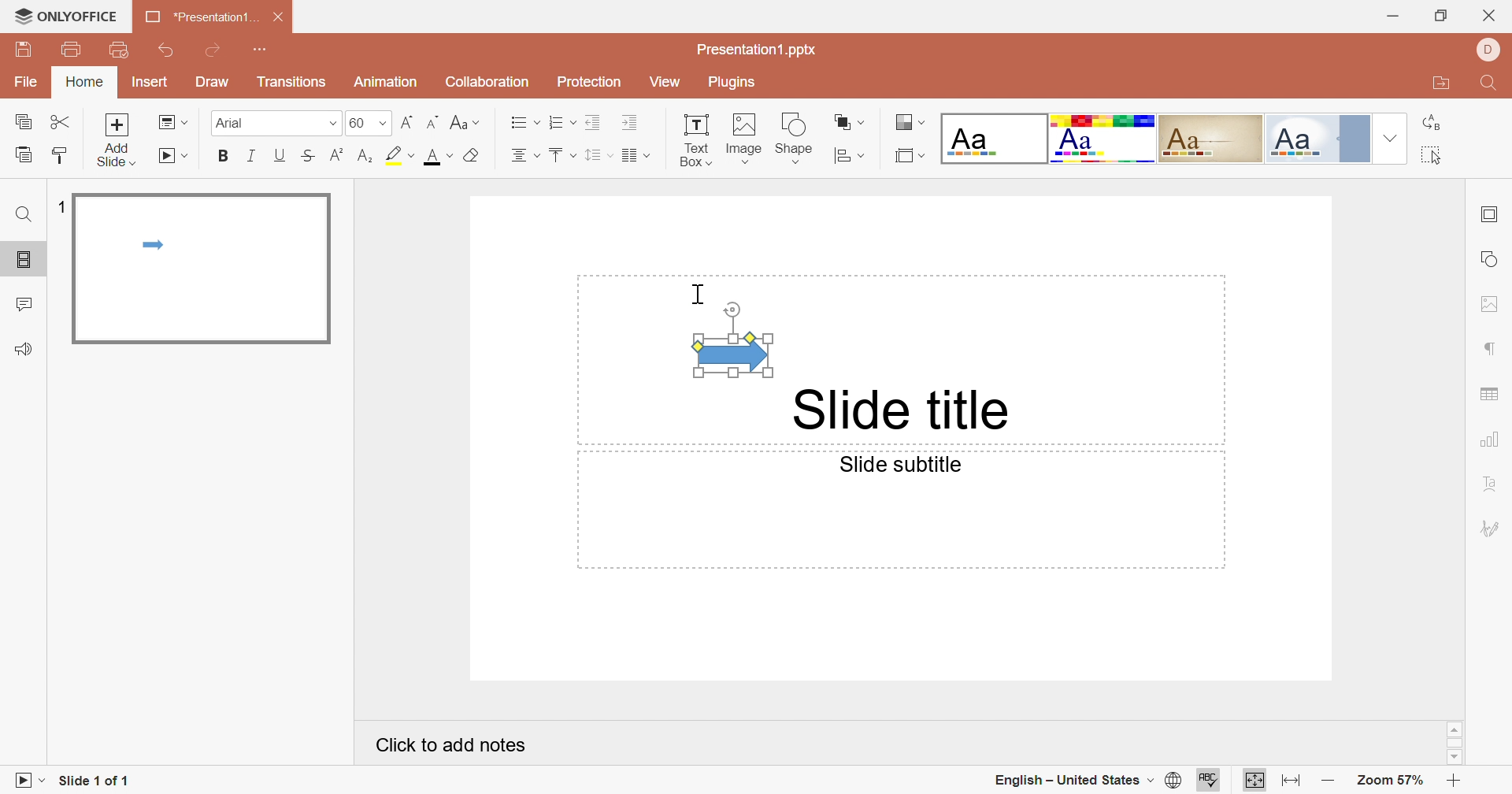 Image resolution: width=1512 pixels, height=794 pixels. Describe the element at coordinates (1489, 84) in the screenshot. I see `Find` at that location.